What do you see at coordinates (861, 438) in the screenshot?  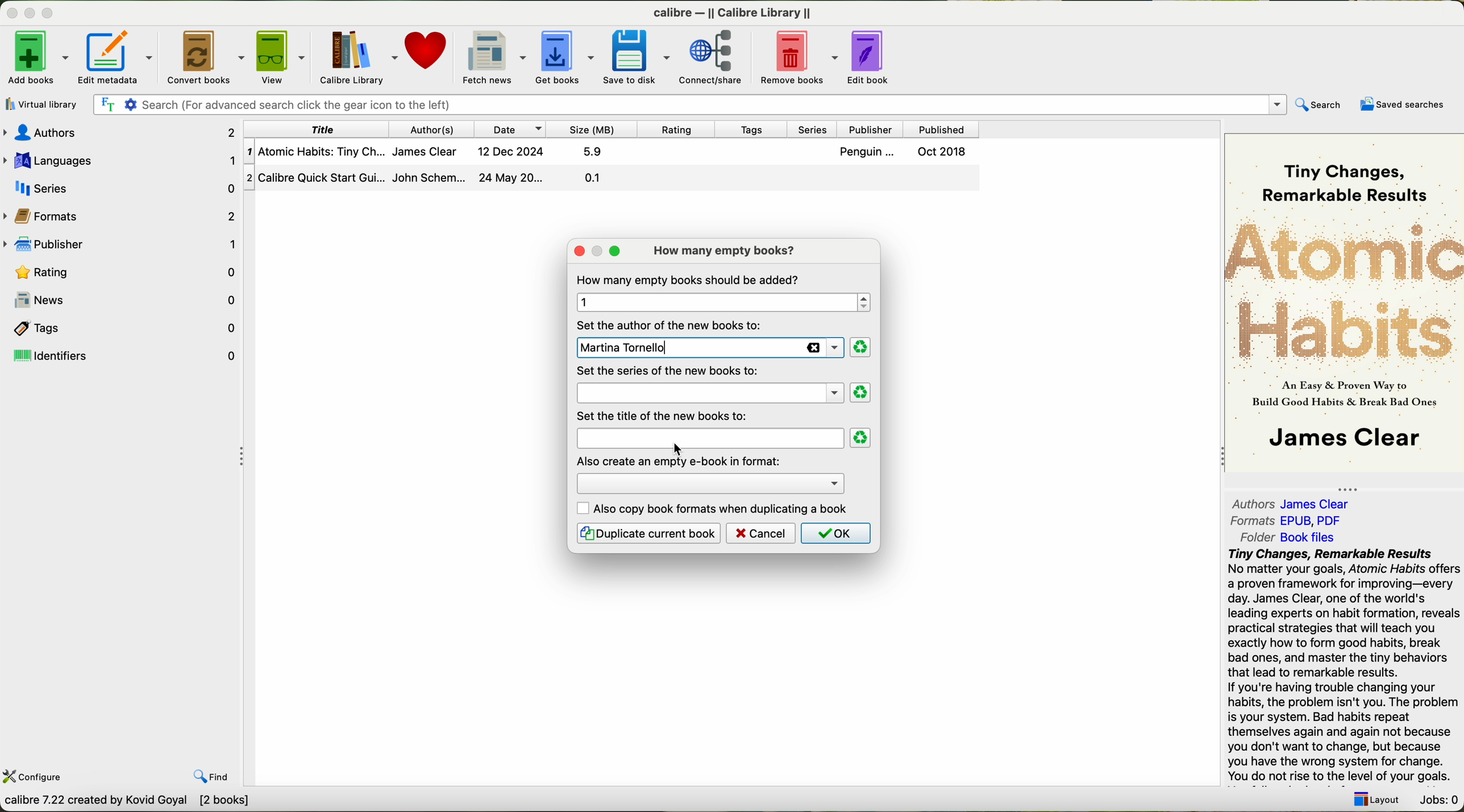 I see `clear` at bounding box center [861, 438].